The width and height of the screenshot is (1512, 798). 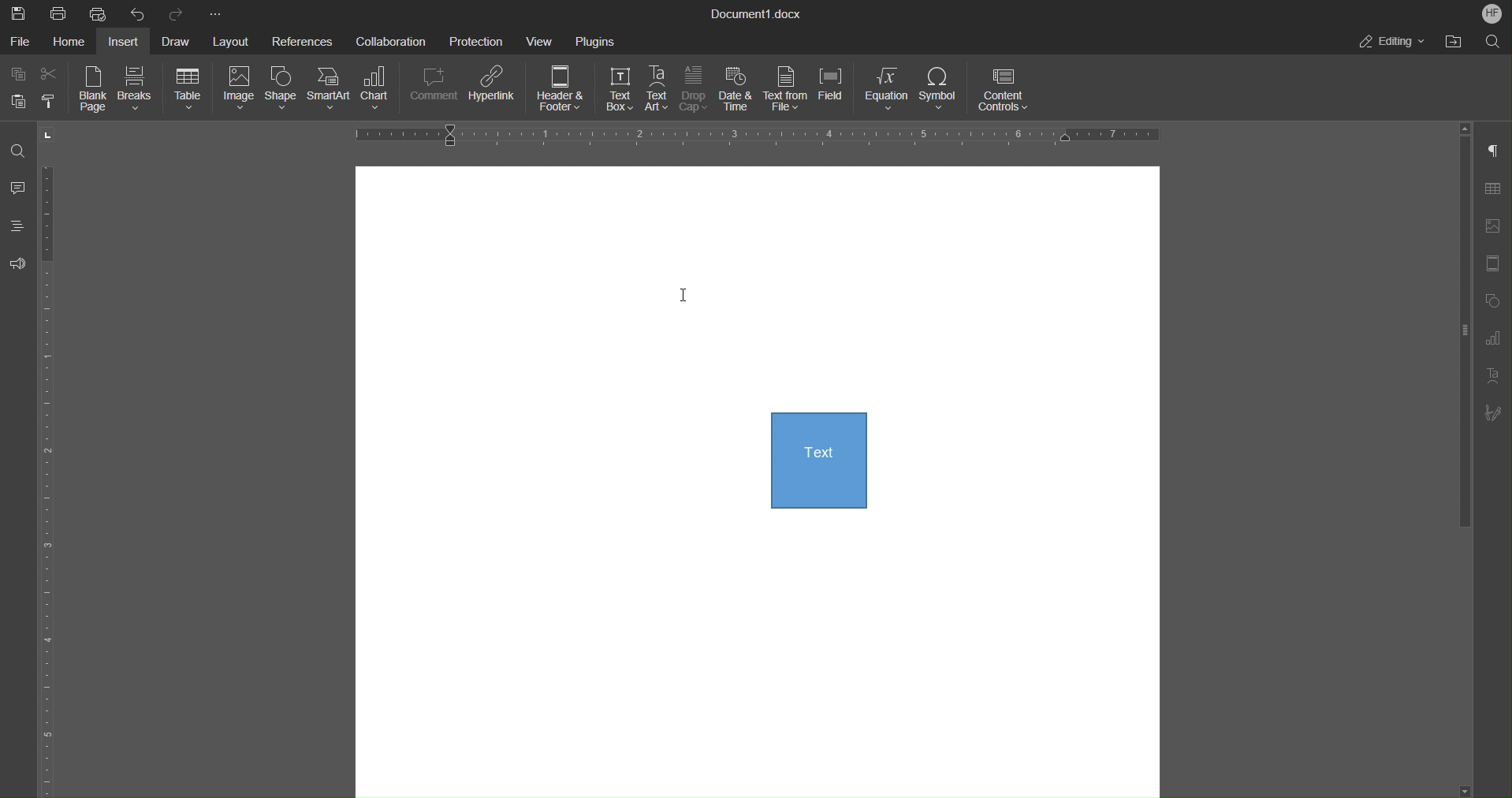 I want to click on Text from File, so click(x=787, y=90).